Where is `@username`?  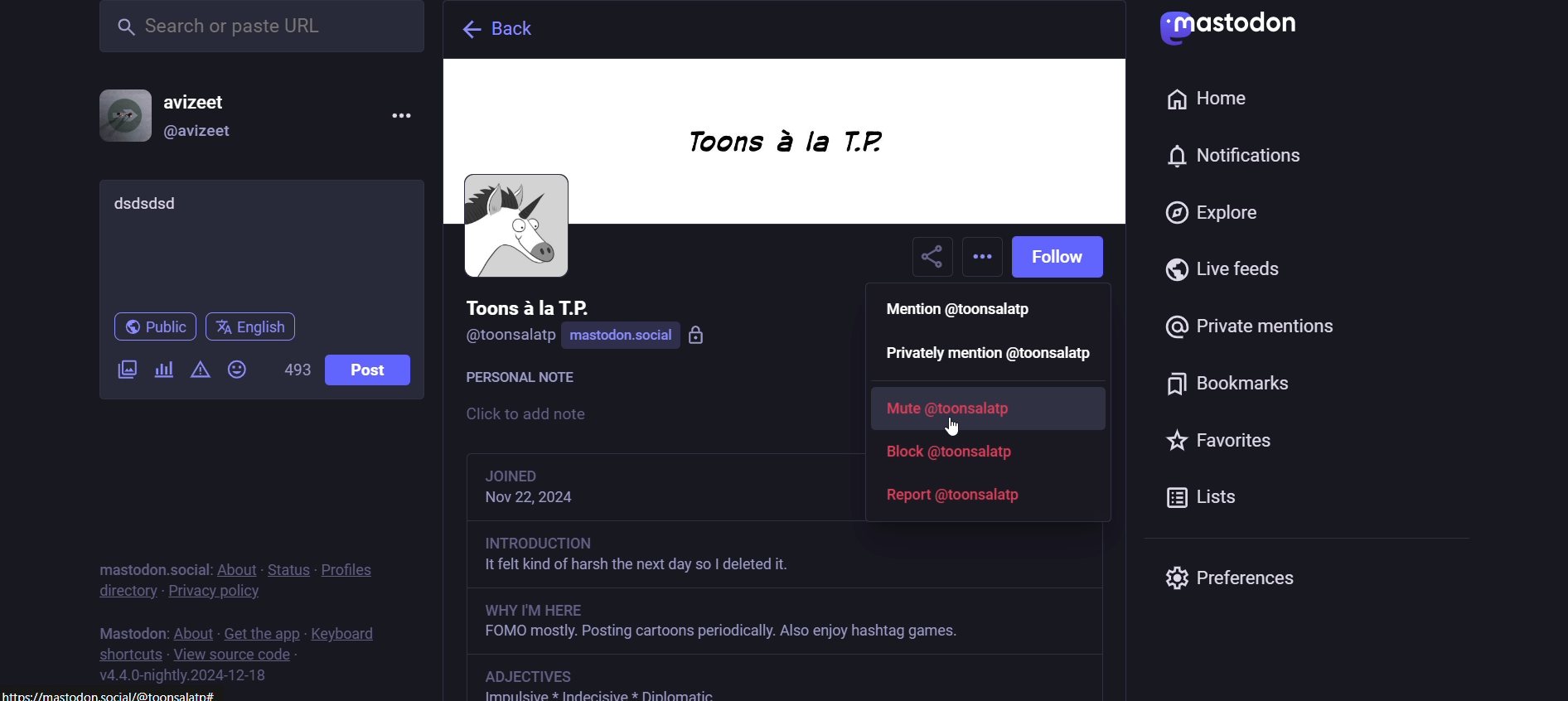 @username is located at coordinates (510, 340).